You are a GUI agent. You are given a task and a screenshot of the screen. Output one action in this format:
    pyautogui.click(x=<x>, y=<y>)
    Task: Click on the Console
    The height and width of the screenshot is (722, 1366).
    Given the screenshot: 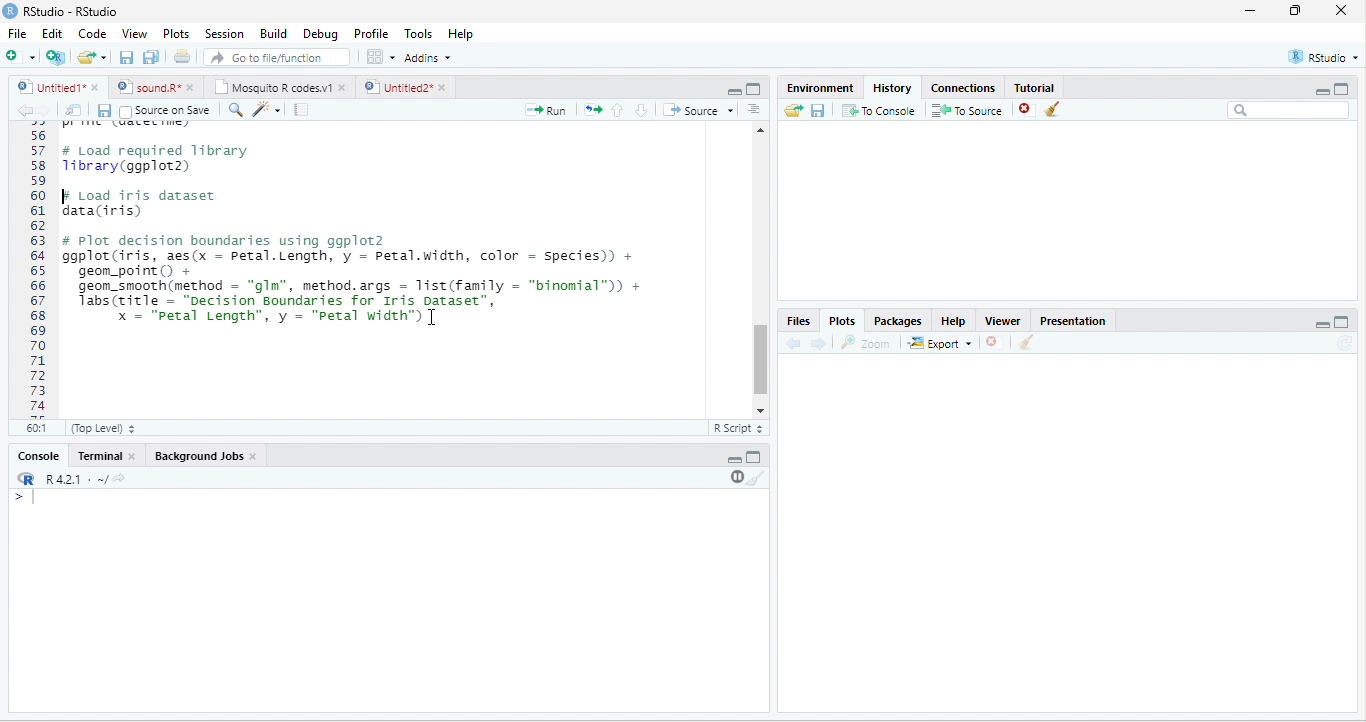 What is the action you would take?
    pyautogui.click(x=38, y=455)
    